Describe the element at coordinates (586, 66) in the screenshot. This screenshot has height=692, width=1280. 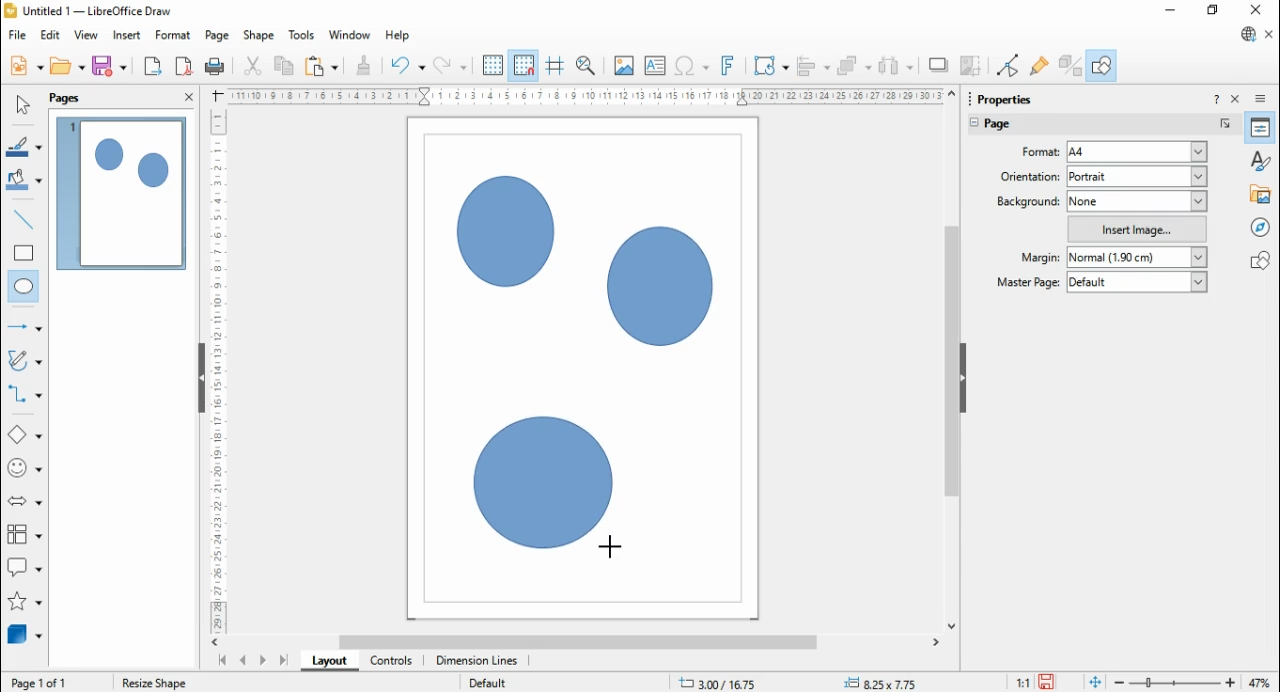
I see `zoom and pan` at that location.